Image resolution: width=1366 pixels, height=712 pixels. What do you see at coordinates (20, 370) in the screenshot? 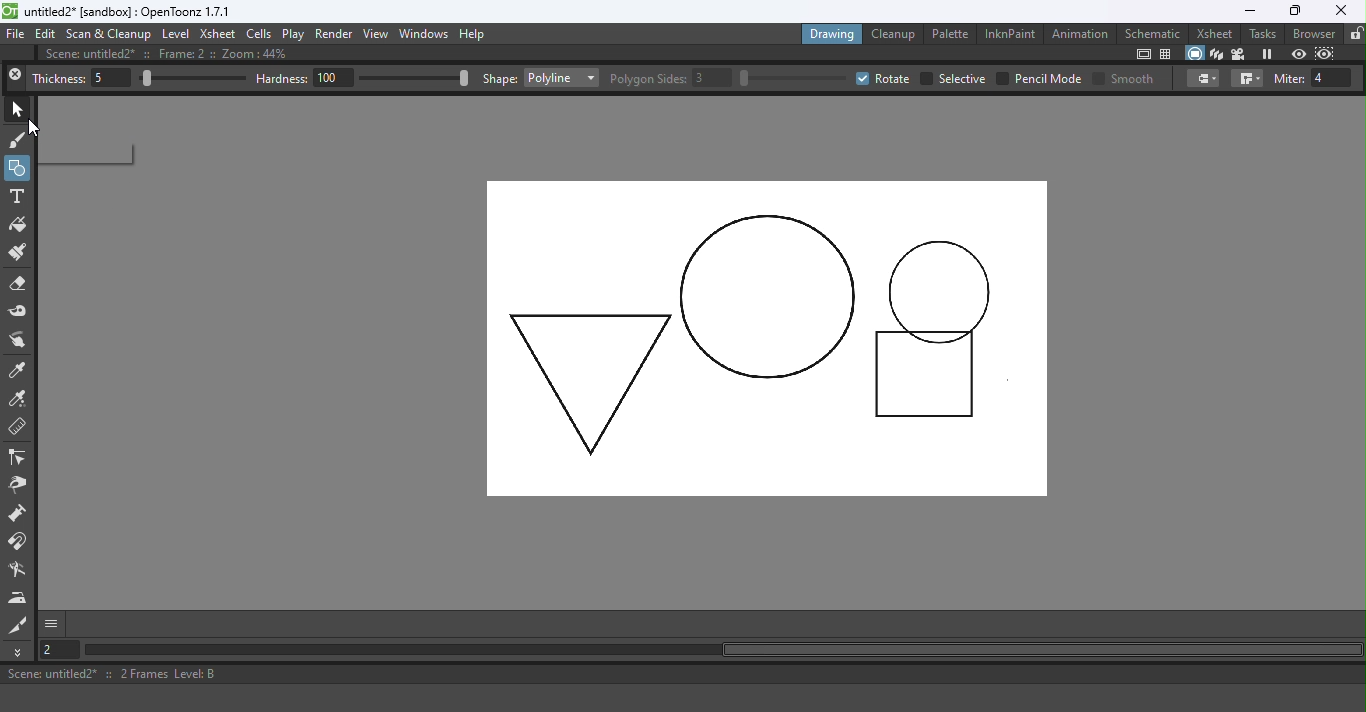
I see `Style picker tool` at bounding box center [20, 370].